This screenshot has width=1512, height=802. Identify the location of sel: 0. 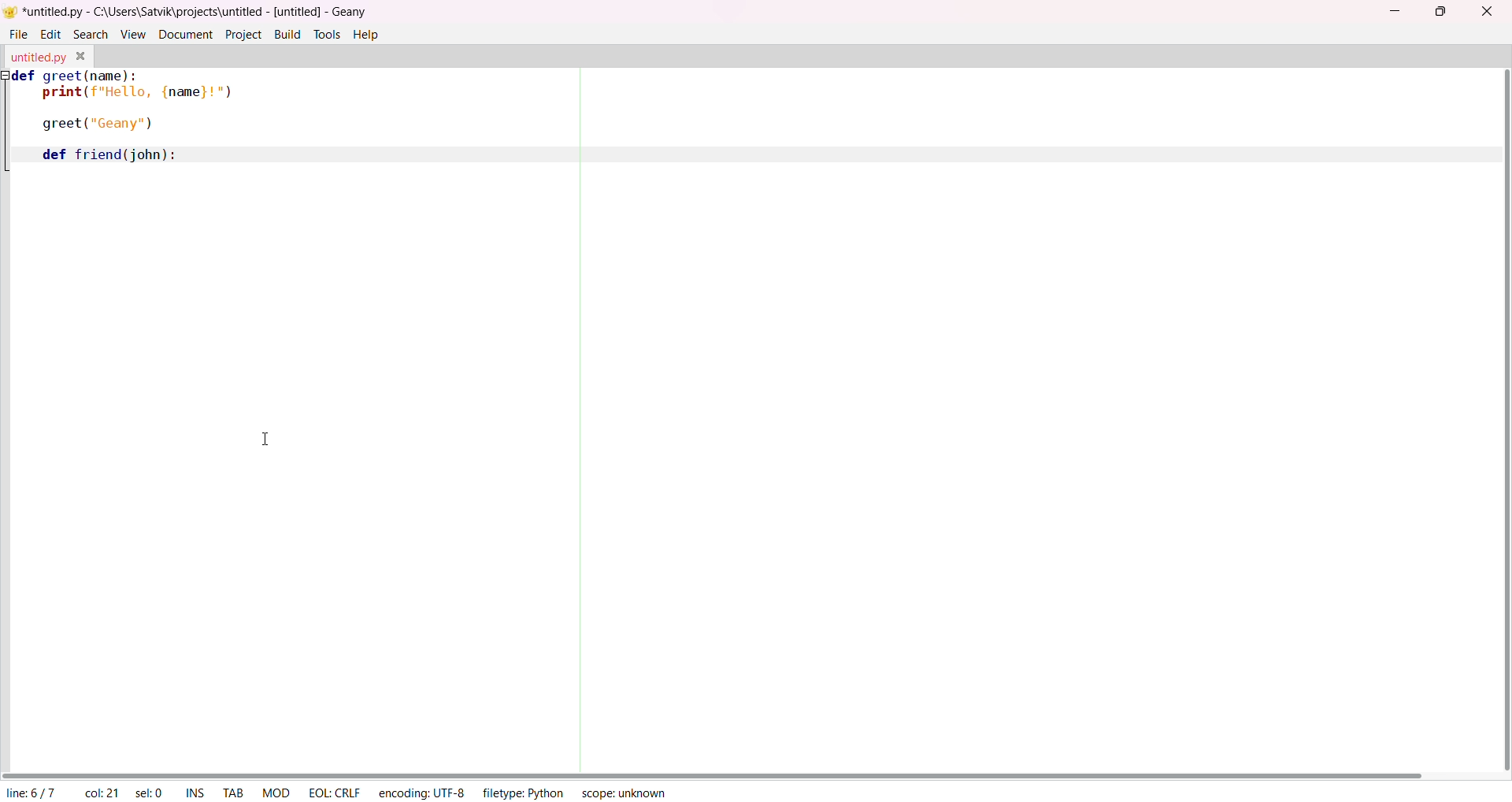
(151, 793).